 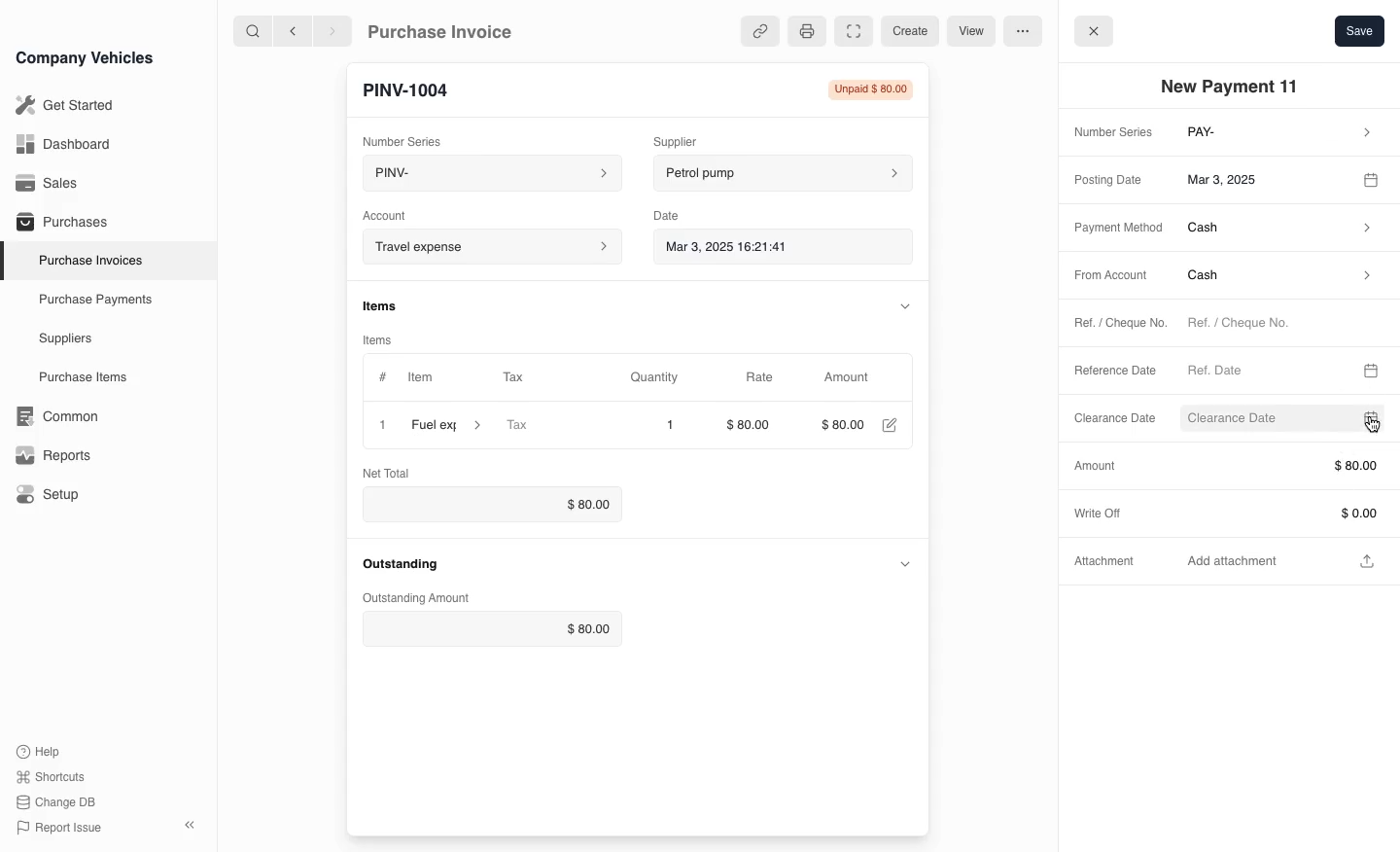 I want to click on Common, so click(x=52, y=416).